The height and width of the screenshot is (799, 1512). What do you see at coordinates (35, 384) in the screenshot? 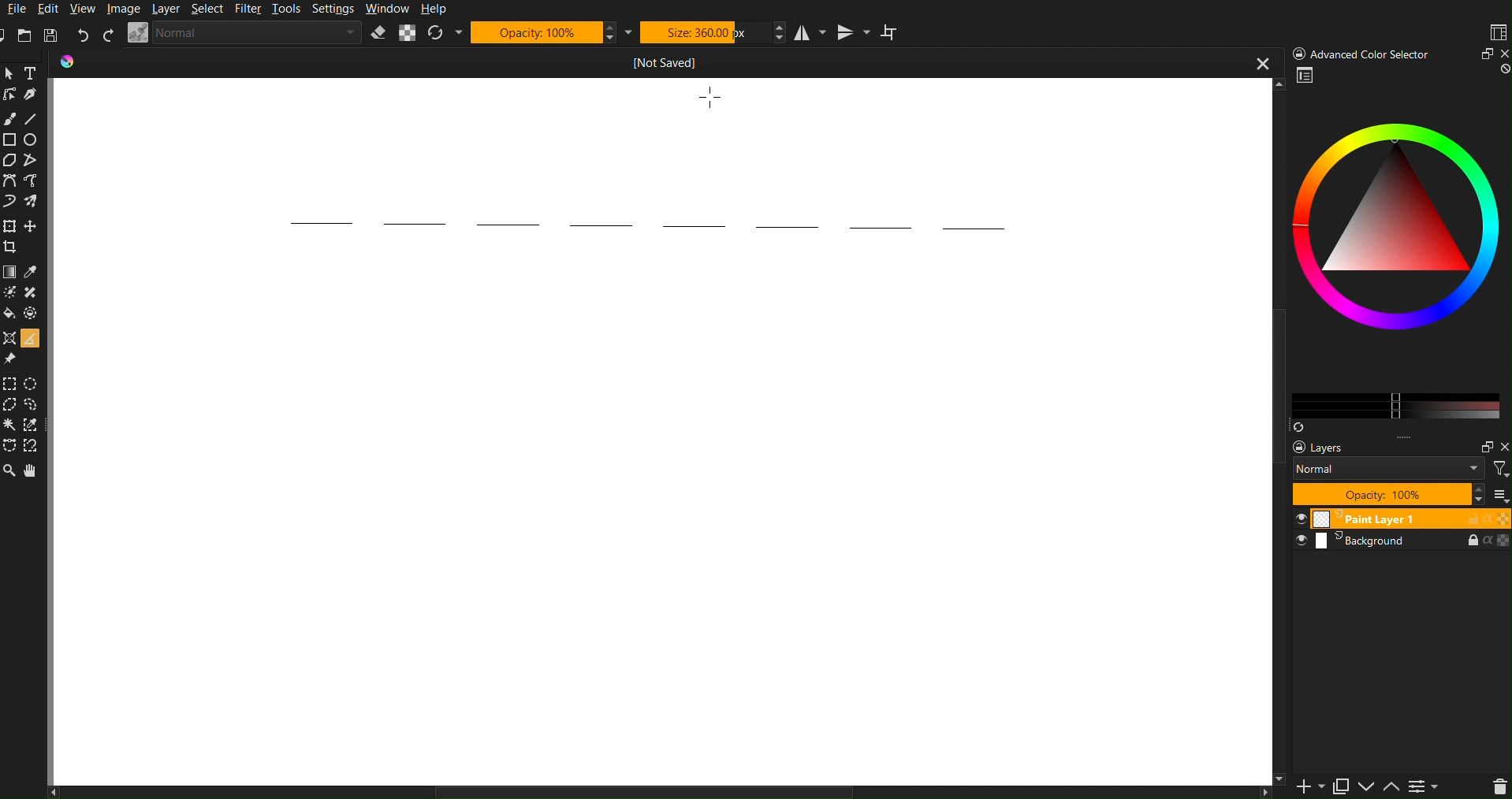
I see `Ellipse Marquee Tool` at bounding box center [35, 384].